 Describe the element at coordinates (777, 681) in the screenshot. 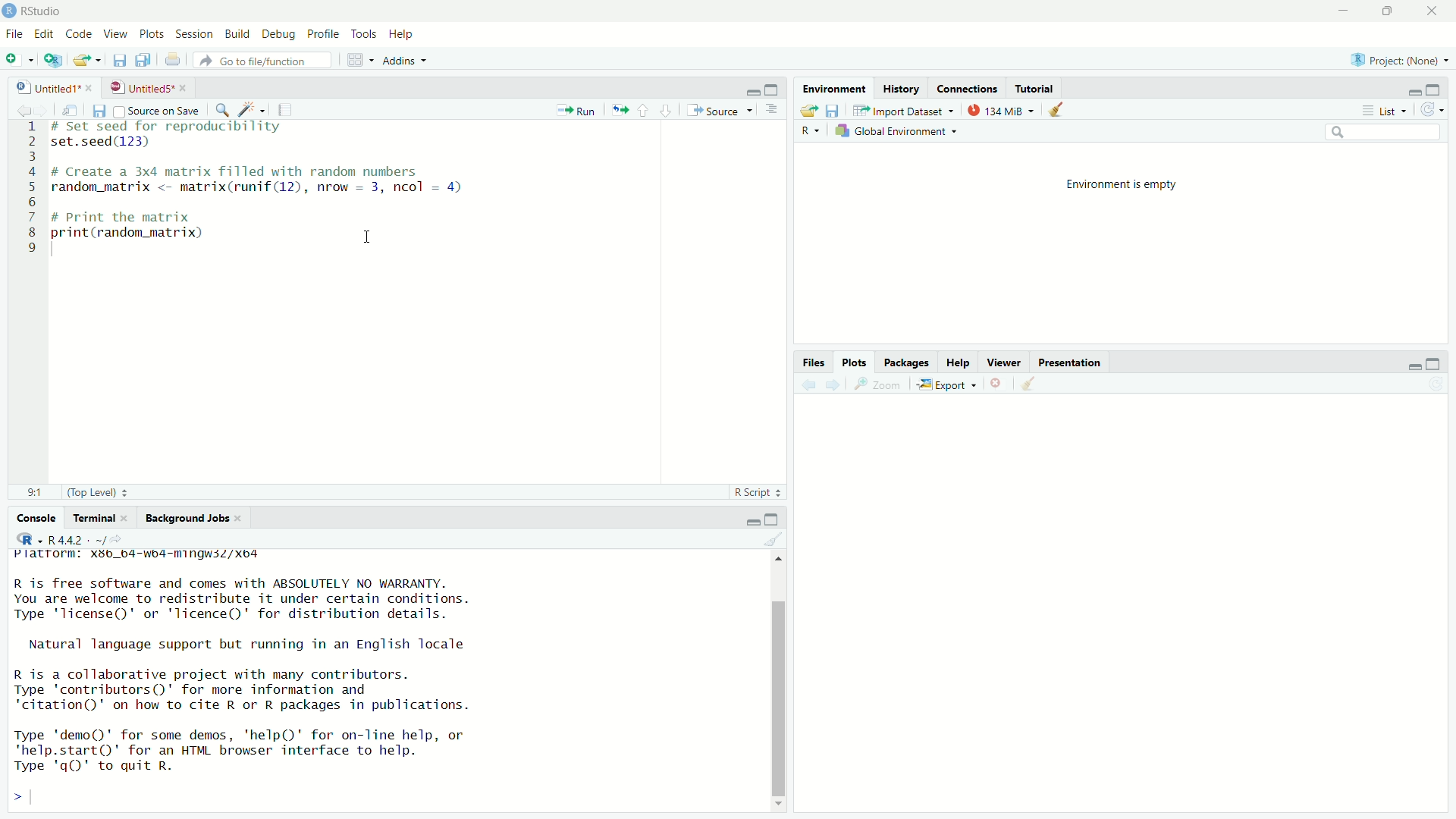

I see `scroll bar` at that location.